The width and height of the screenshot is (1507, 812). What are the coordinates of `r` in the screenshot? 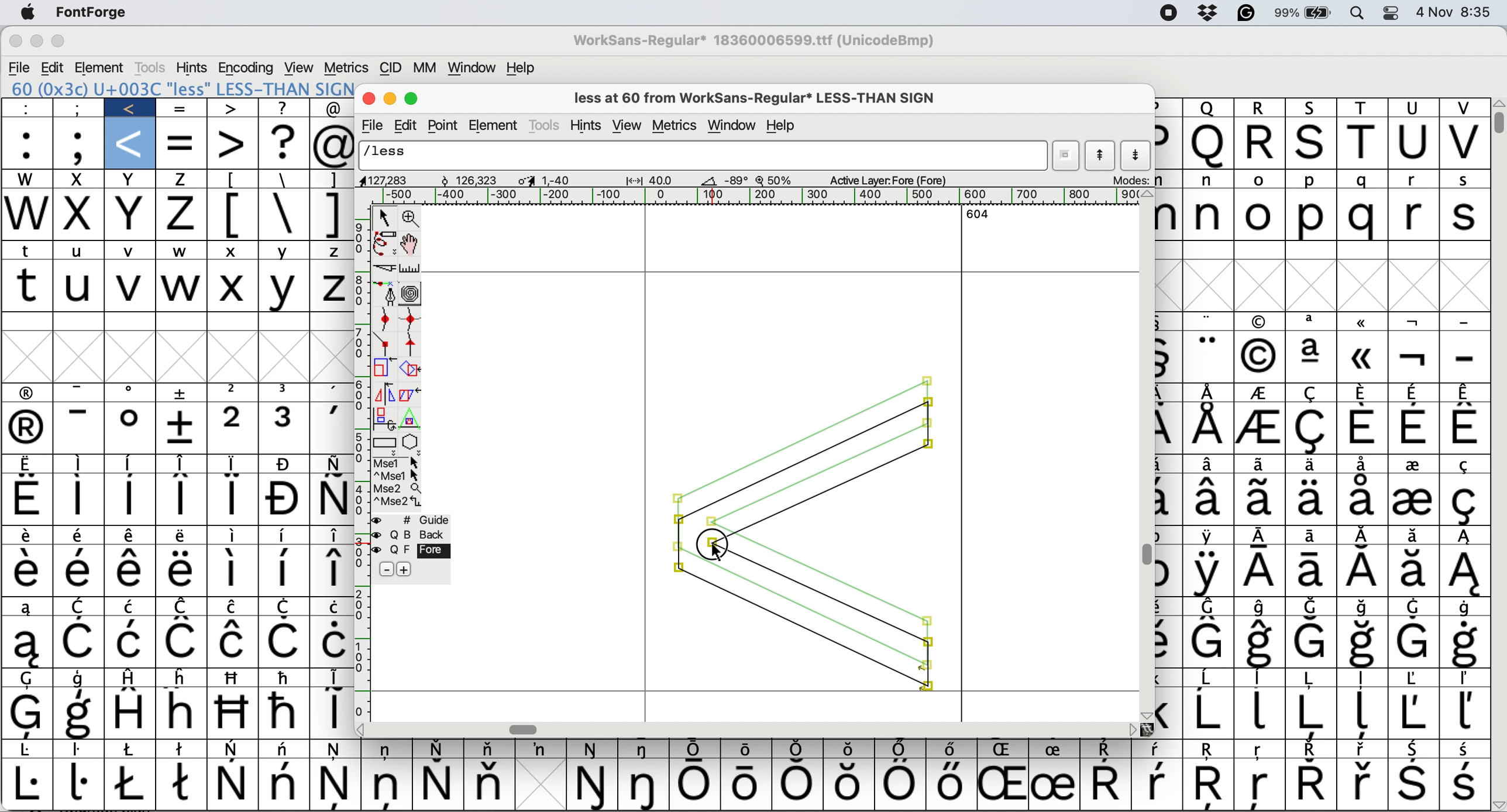 It's located at (1413, 214).